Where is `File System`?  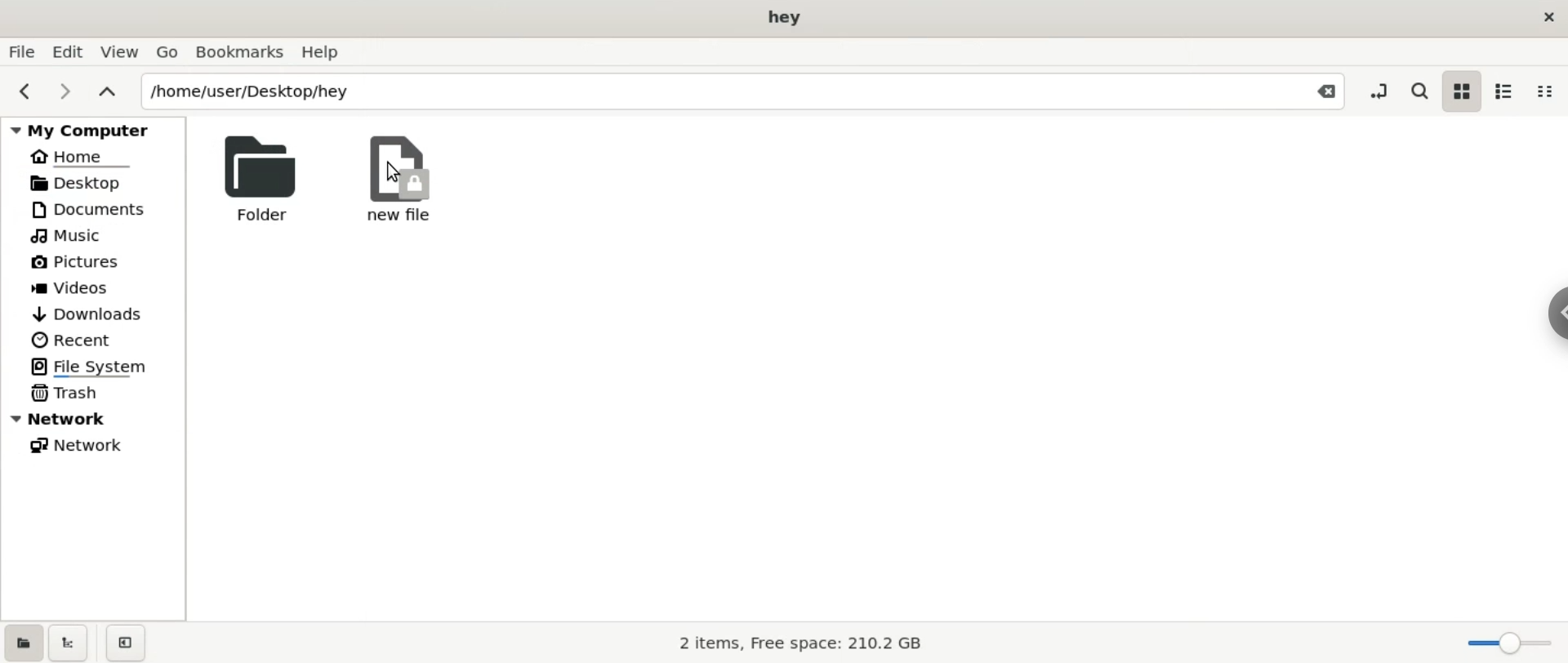 File System is located at coordinates (96, 366).